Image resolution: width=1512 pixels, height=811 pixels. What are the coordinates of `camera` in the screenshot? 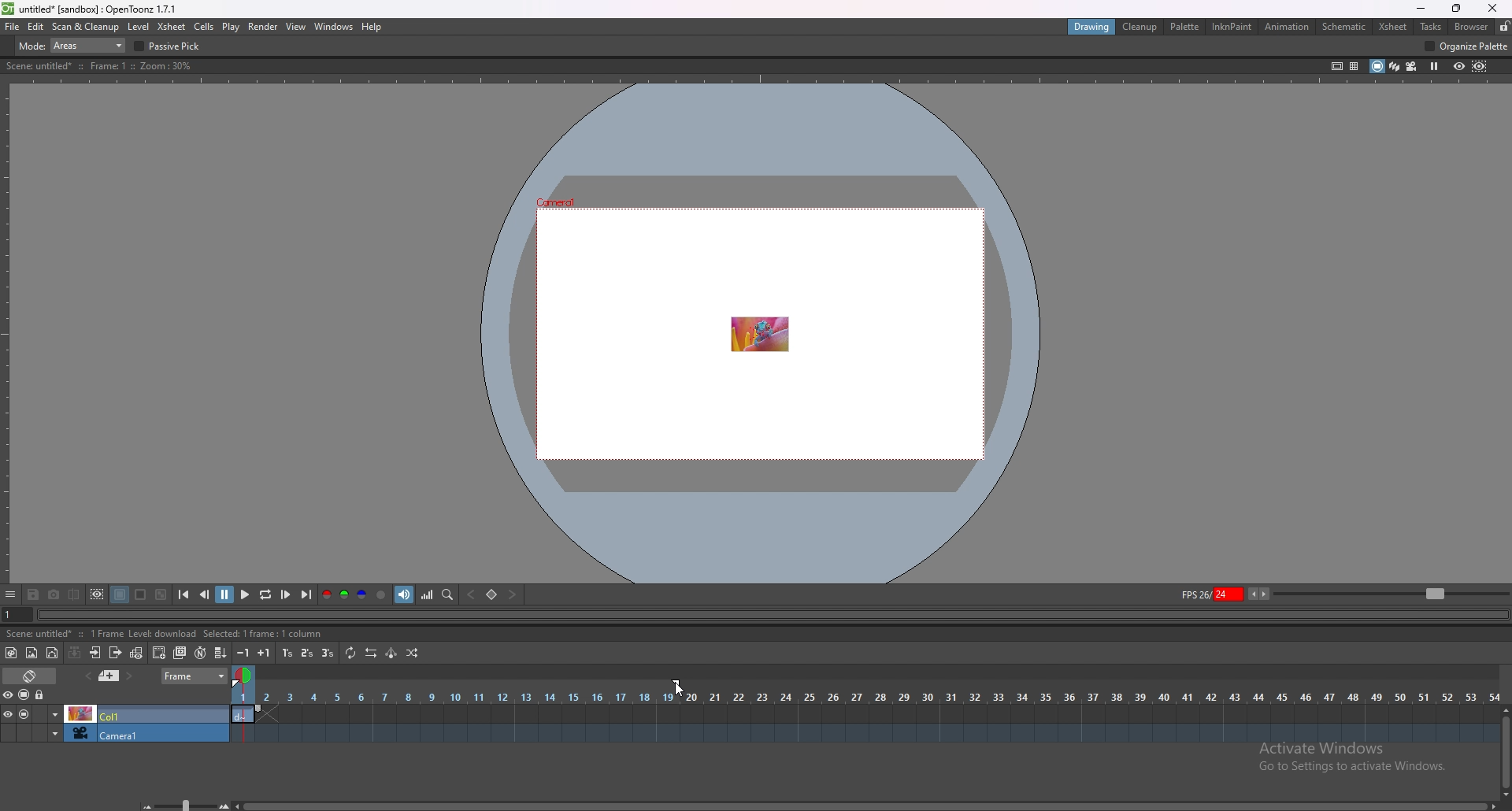 It's located at (115, 732).